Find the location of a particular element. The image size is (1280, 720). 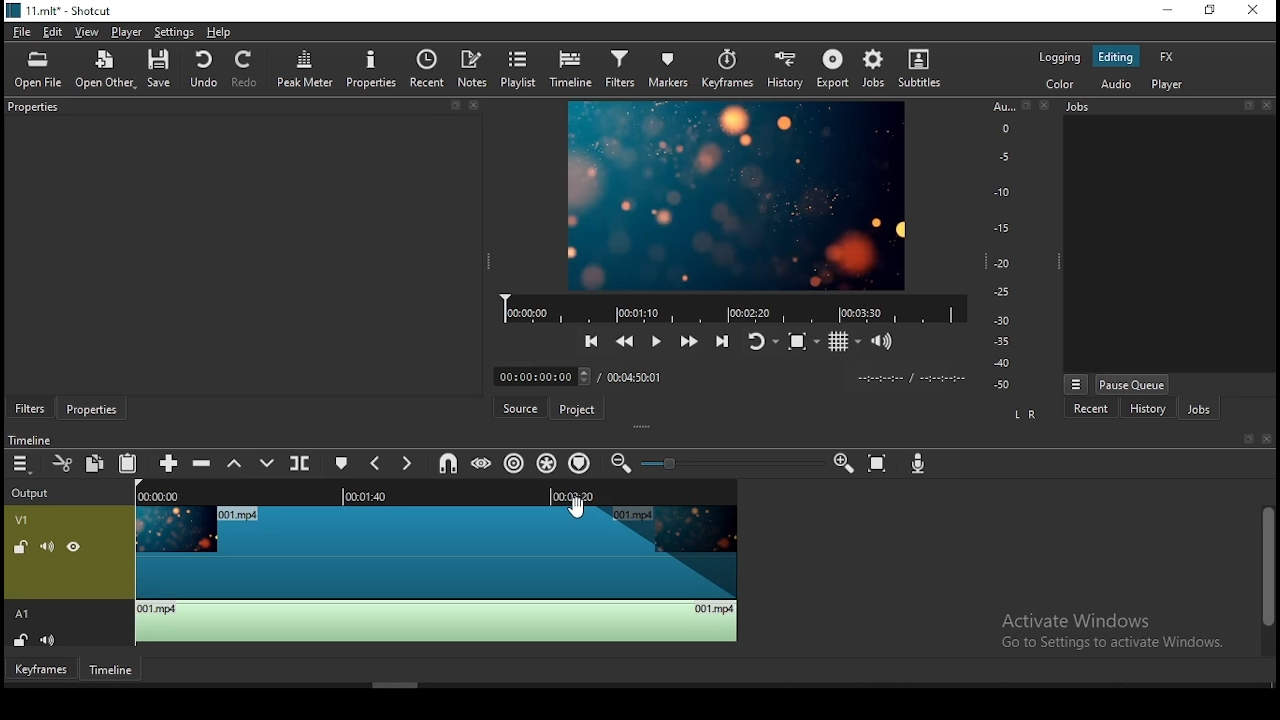

open other is located at coordinates (105, 68).